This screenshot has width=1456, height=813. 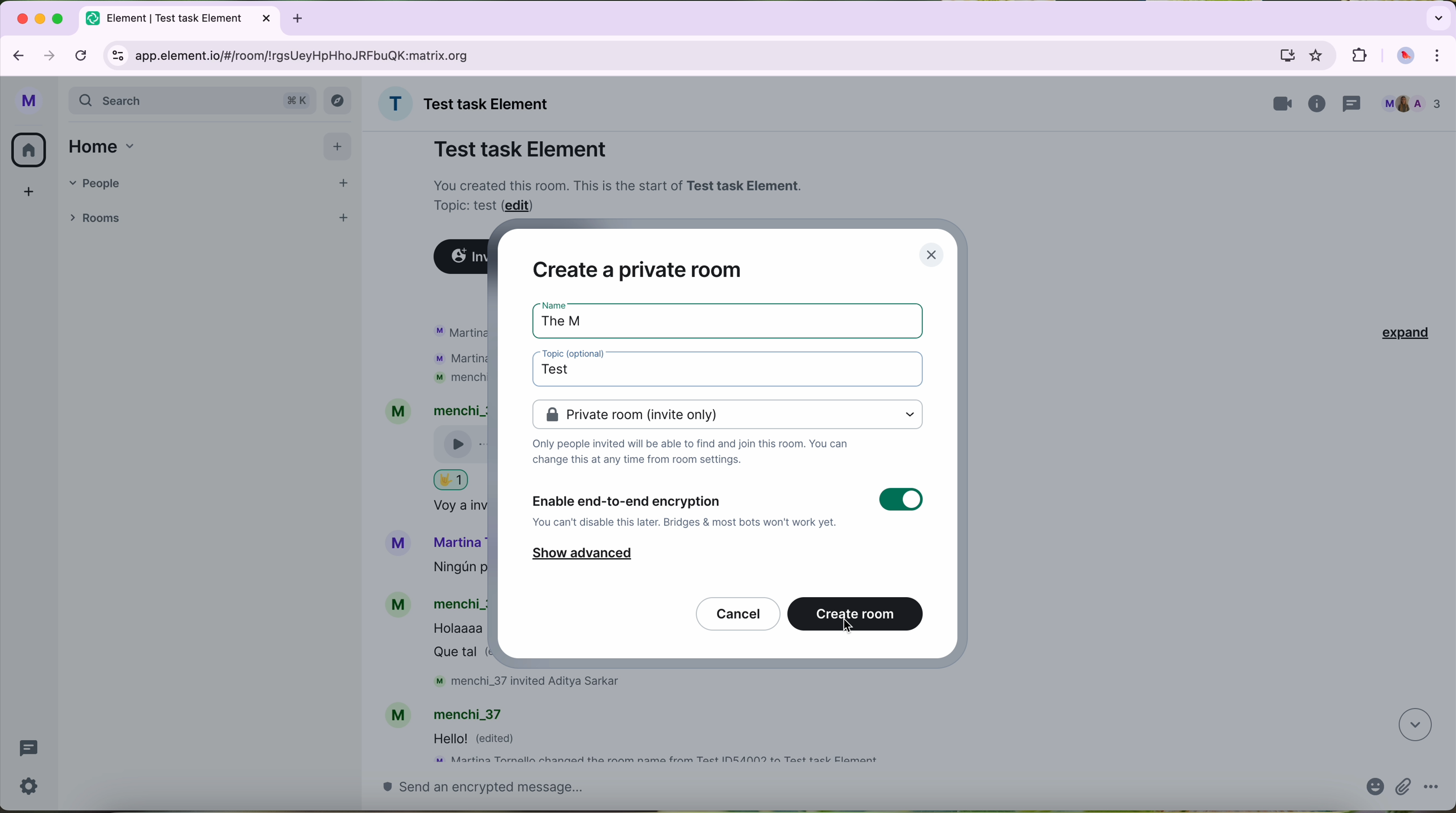 I want to click on Test task Element, so click(x=521, y=149).